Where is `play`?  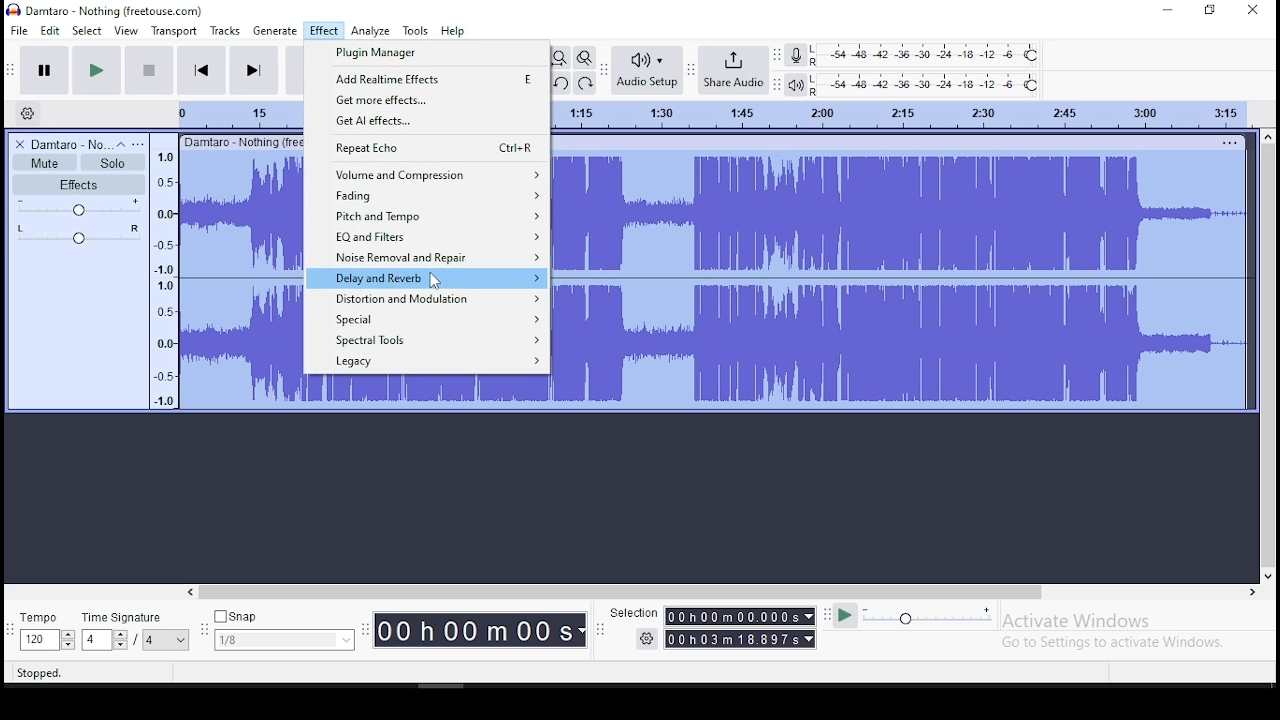
play is located at coordinates (97, 69).